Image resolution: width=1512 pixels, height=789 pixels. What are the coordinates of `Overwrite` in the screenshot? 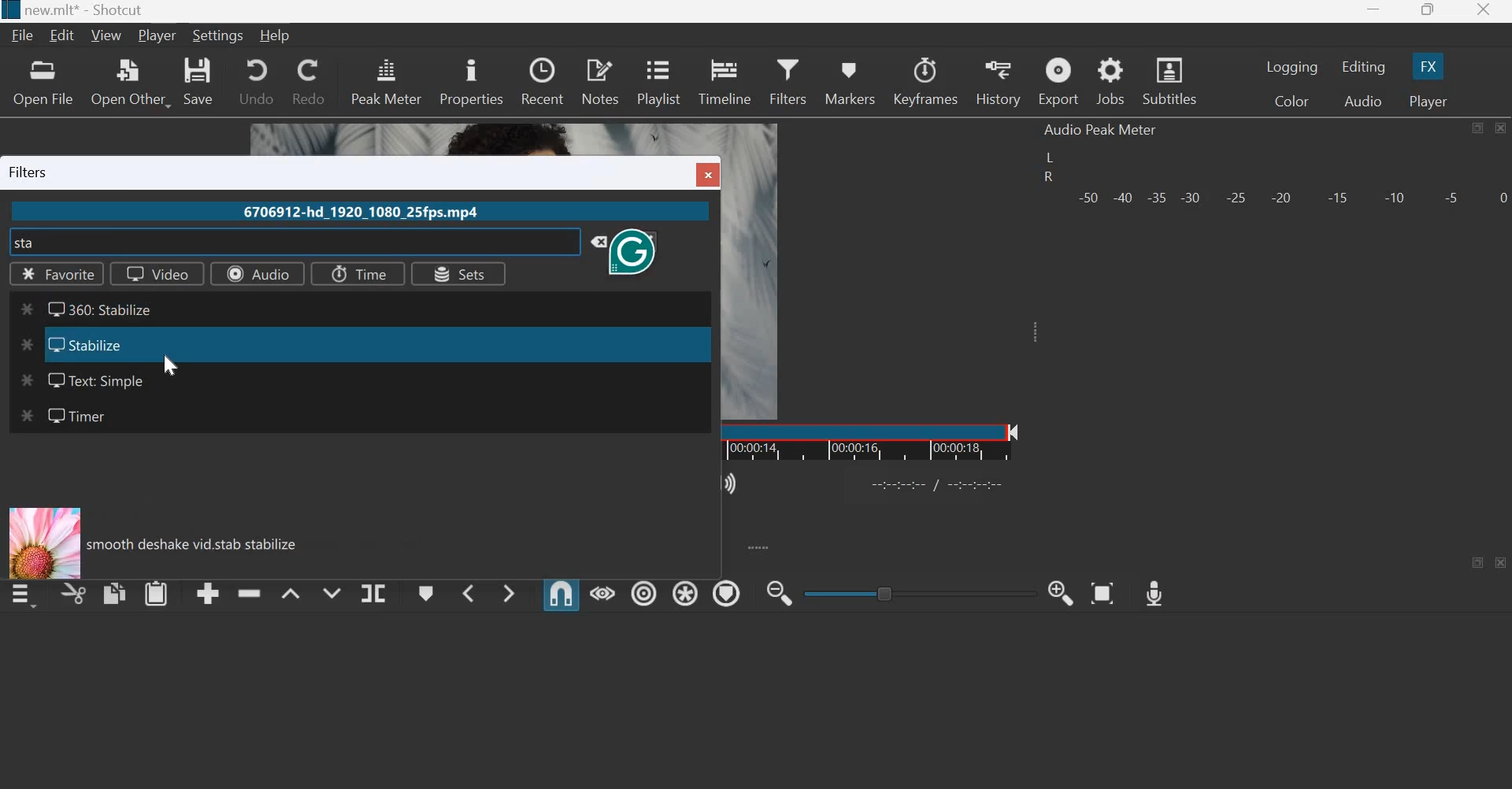 It's located at (332, 591).